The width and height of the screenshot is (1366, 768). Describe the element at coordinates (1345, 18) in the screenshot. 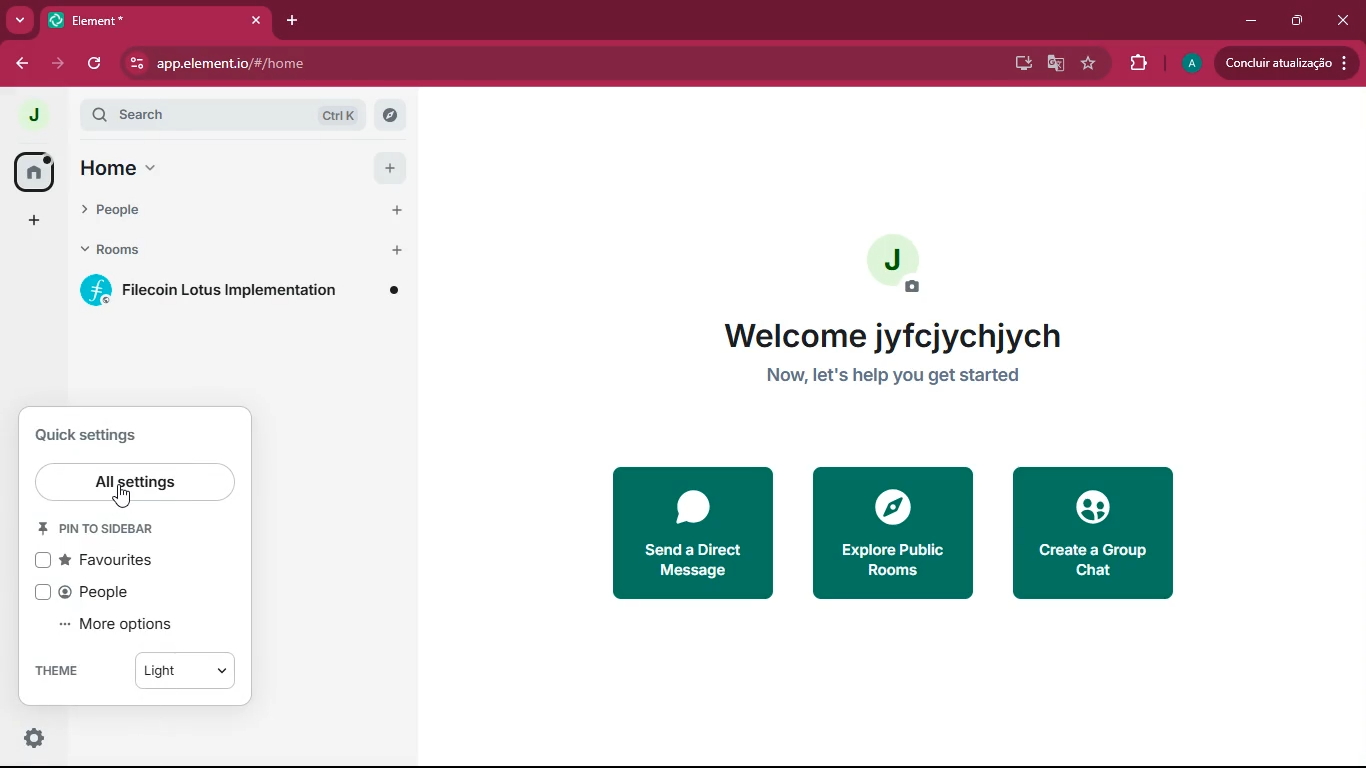

I see `close` at that location.